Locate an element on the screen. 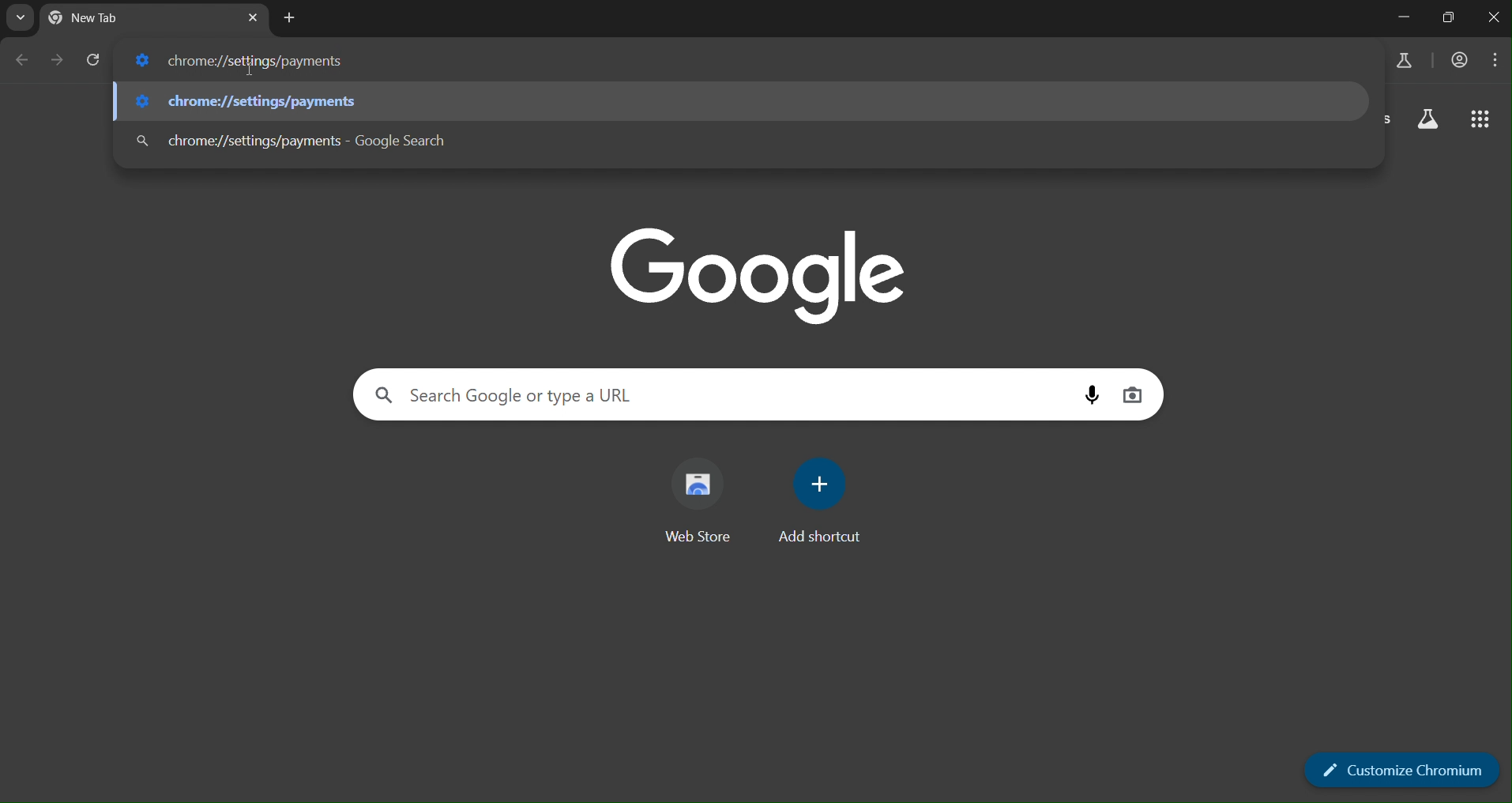  go back one page is located at coordinates (23, 62).